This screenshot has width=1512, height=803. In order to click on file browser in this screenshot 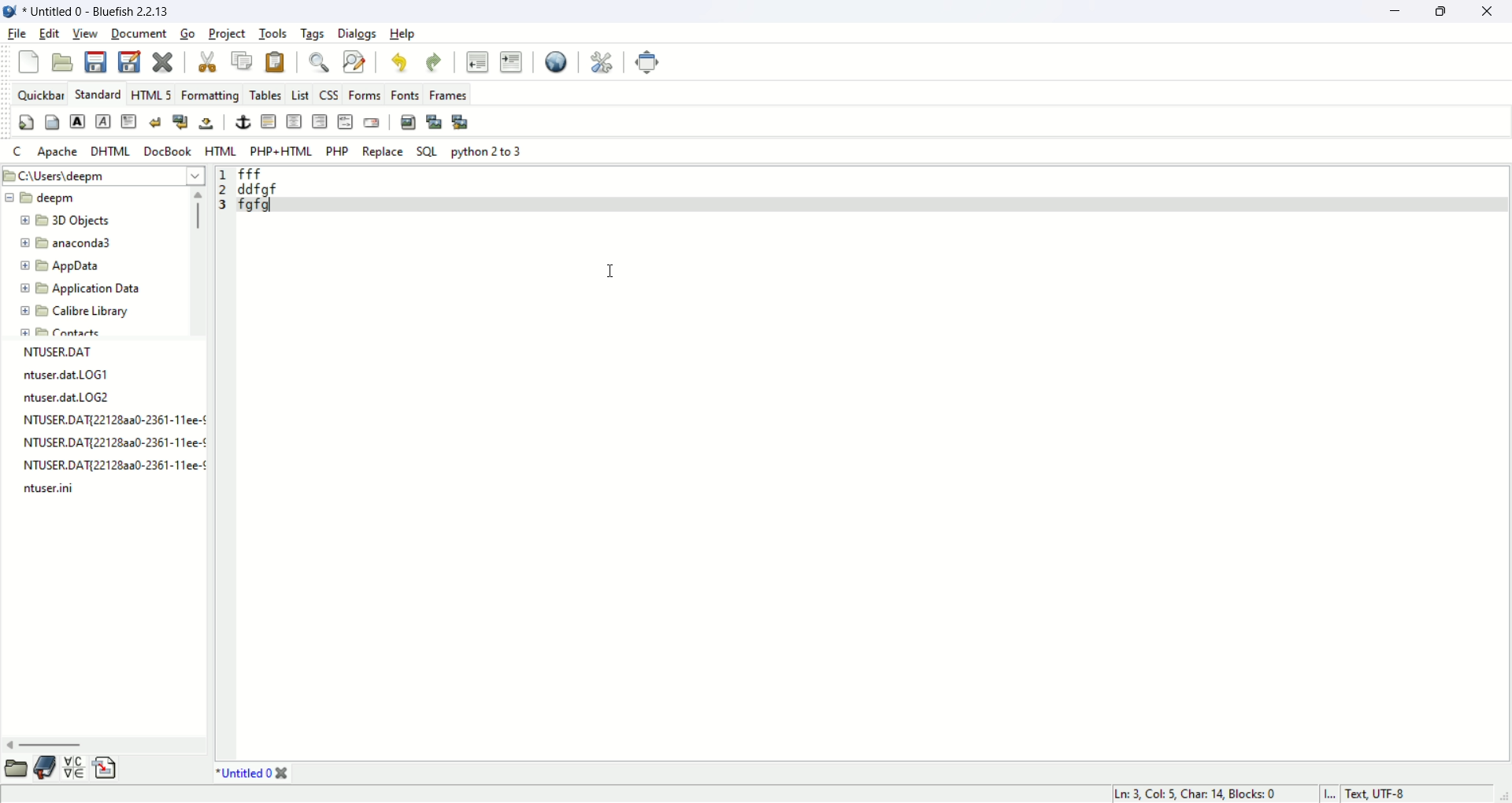, I will do `click(13, 770)`.